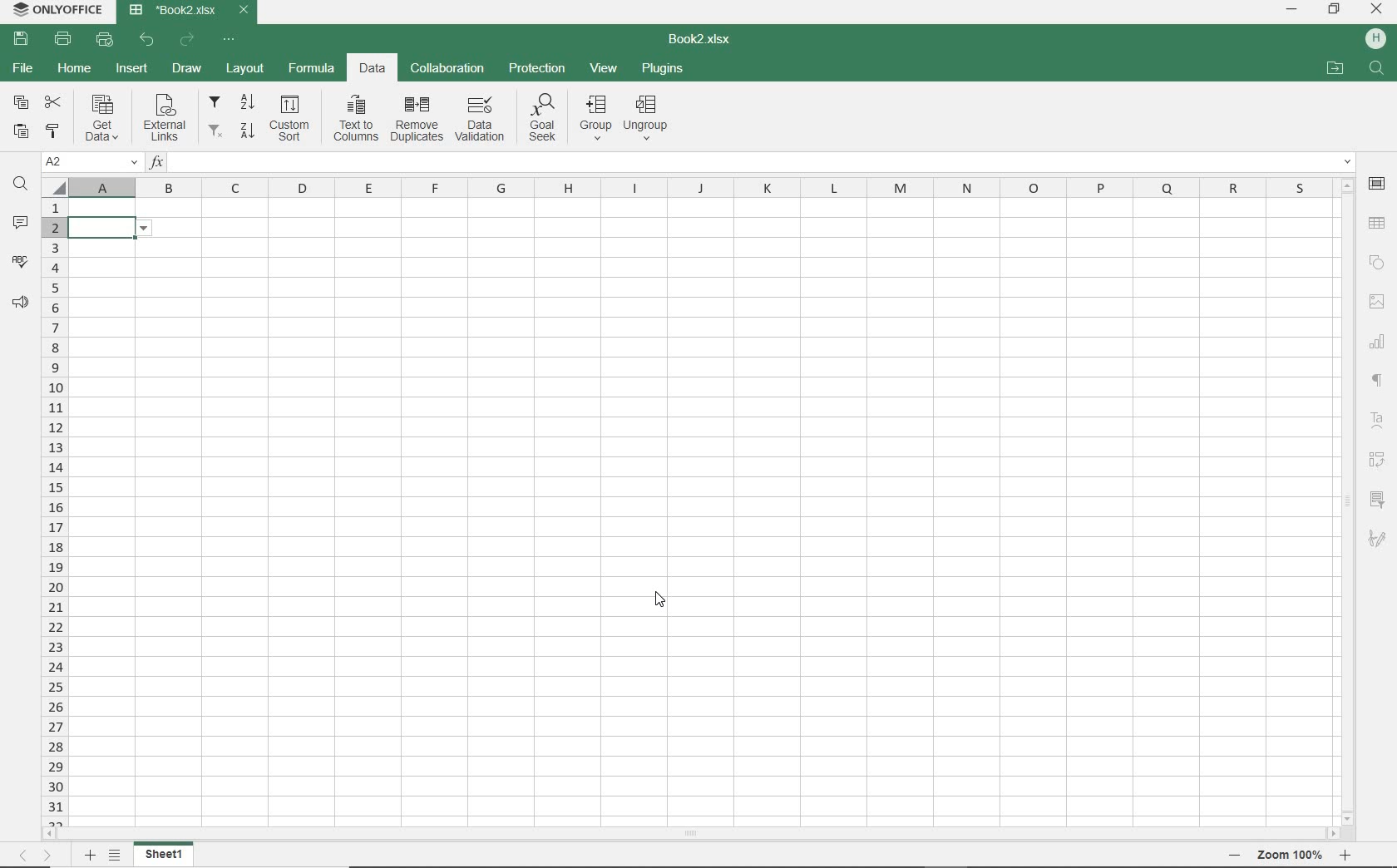 The width and height of the screenshot is (1397, 868). I want to click on CLOSE, so click(1375, 10).